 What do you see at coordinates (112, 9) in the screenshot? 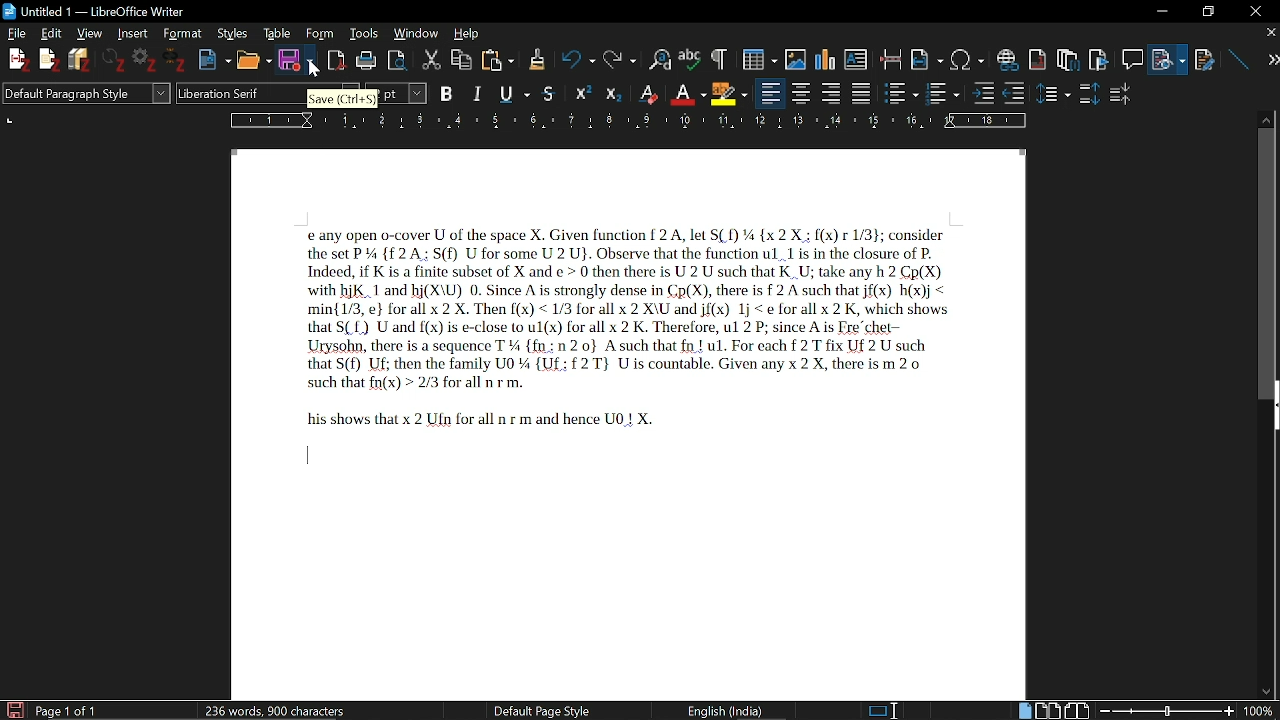
I see `Untitled - LibreOffice Writer` at bounding box center [112, 9].